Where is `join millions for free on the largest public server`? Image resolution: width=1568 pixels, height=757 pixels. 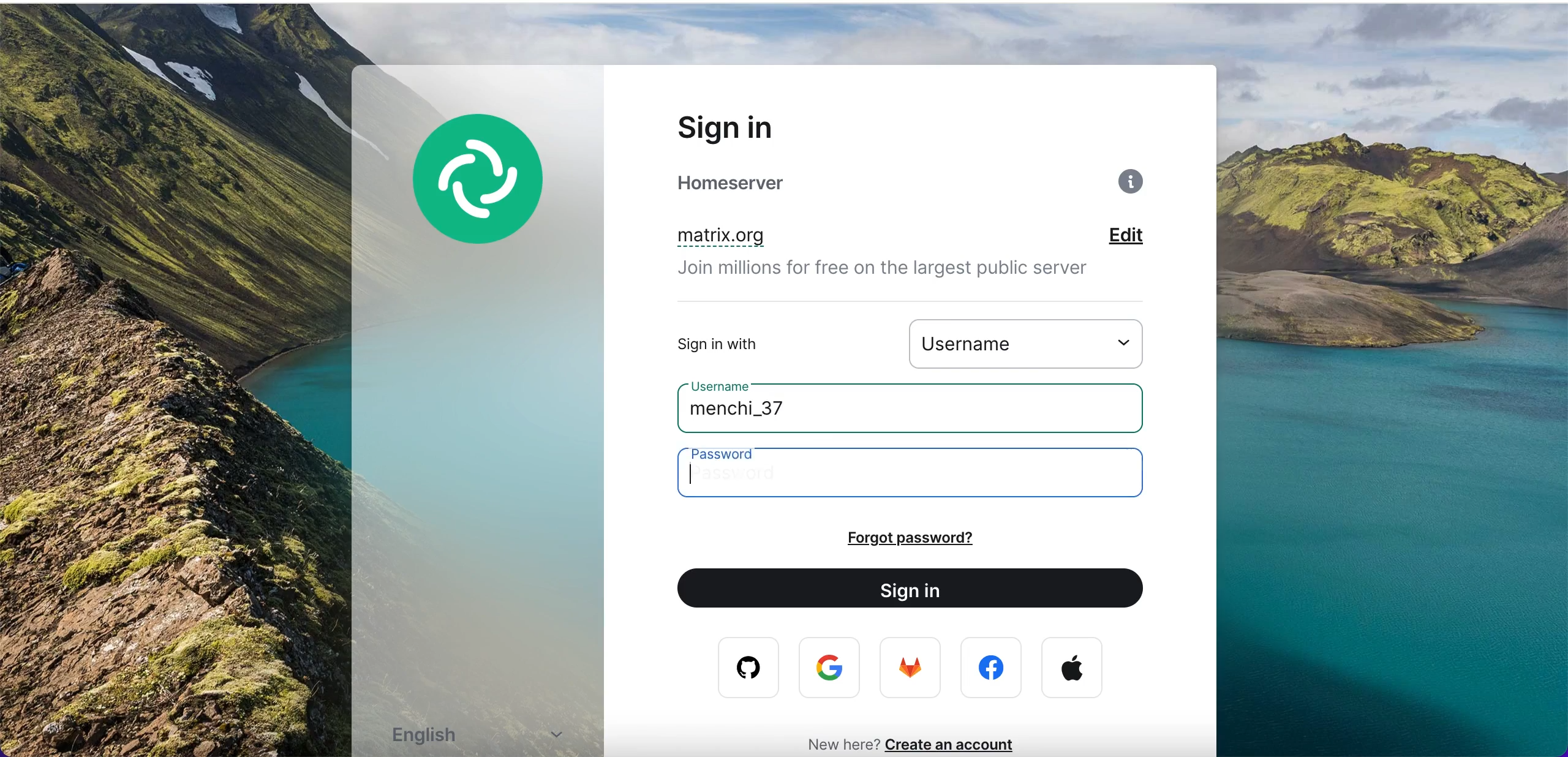
join millions for free on the largest public server is located at coordinates (899, 272).